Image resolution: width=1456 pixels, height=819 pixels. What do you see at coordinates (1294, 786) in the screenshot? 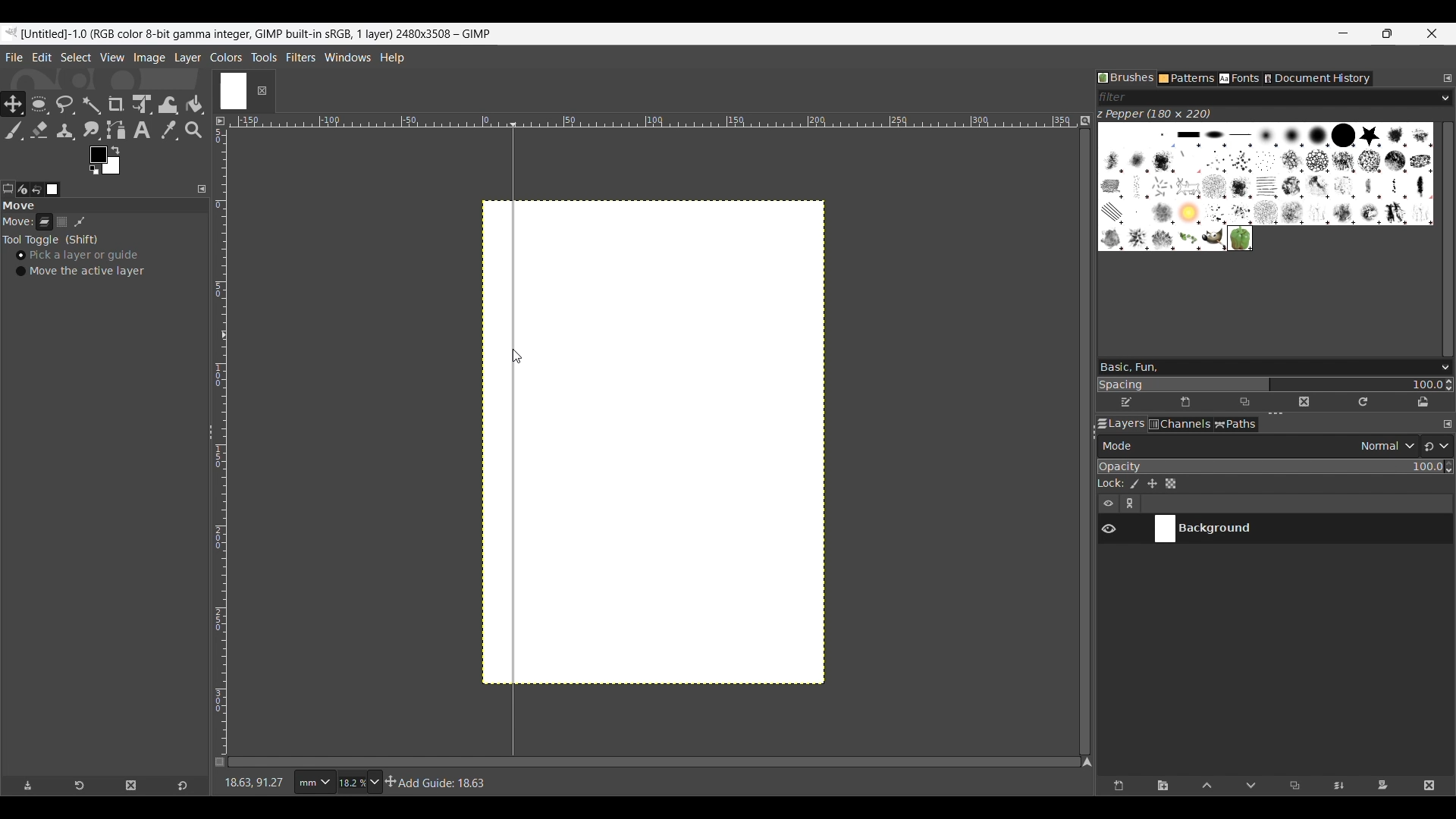
I see `Duplicate selected layer` at bounding box center [1294, 786].